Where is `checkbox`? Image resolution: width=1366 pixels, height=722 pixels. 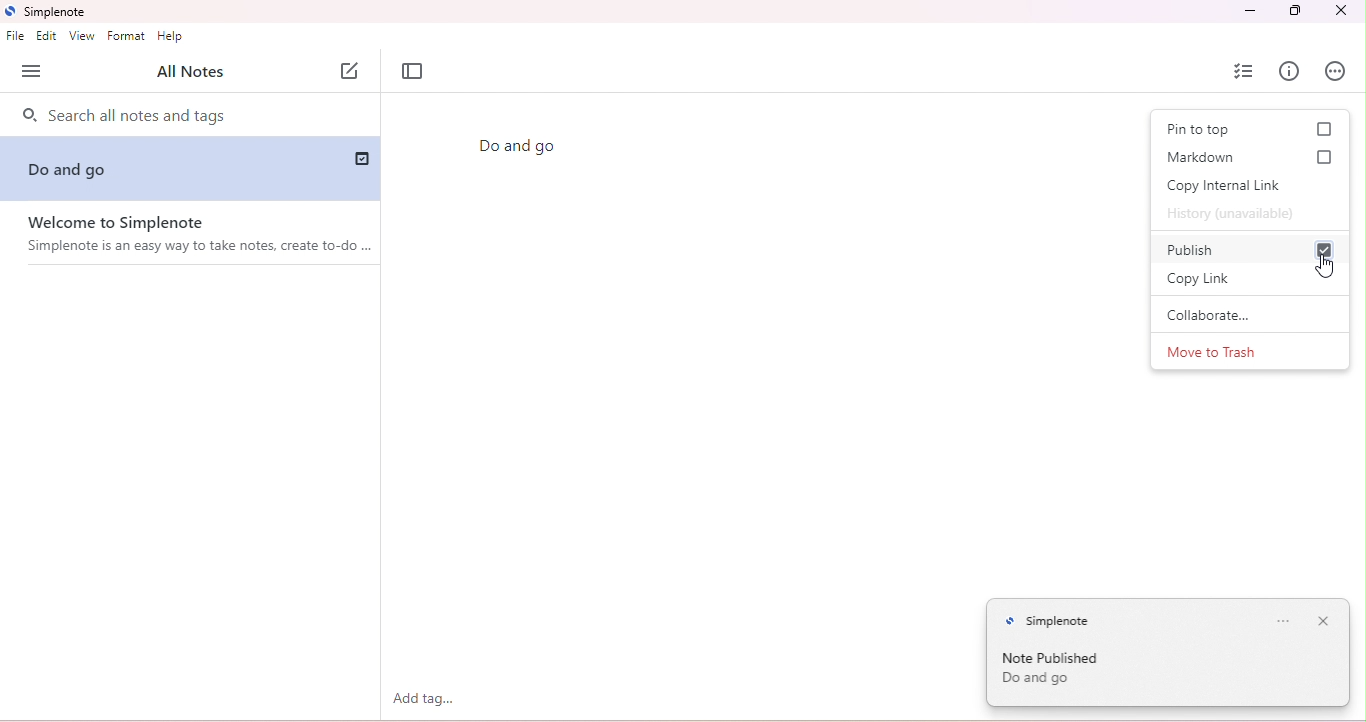
checkbox is located at coordinates (364, 158).